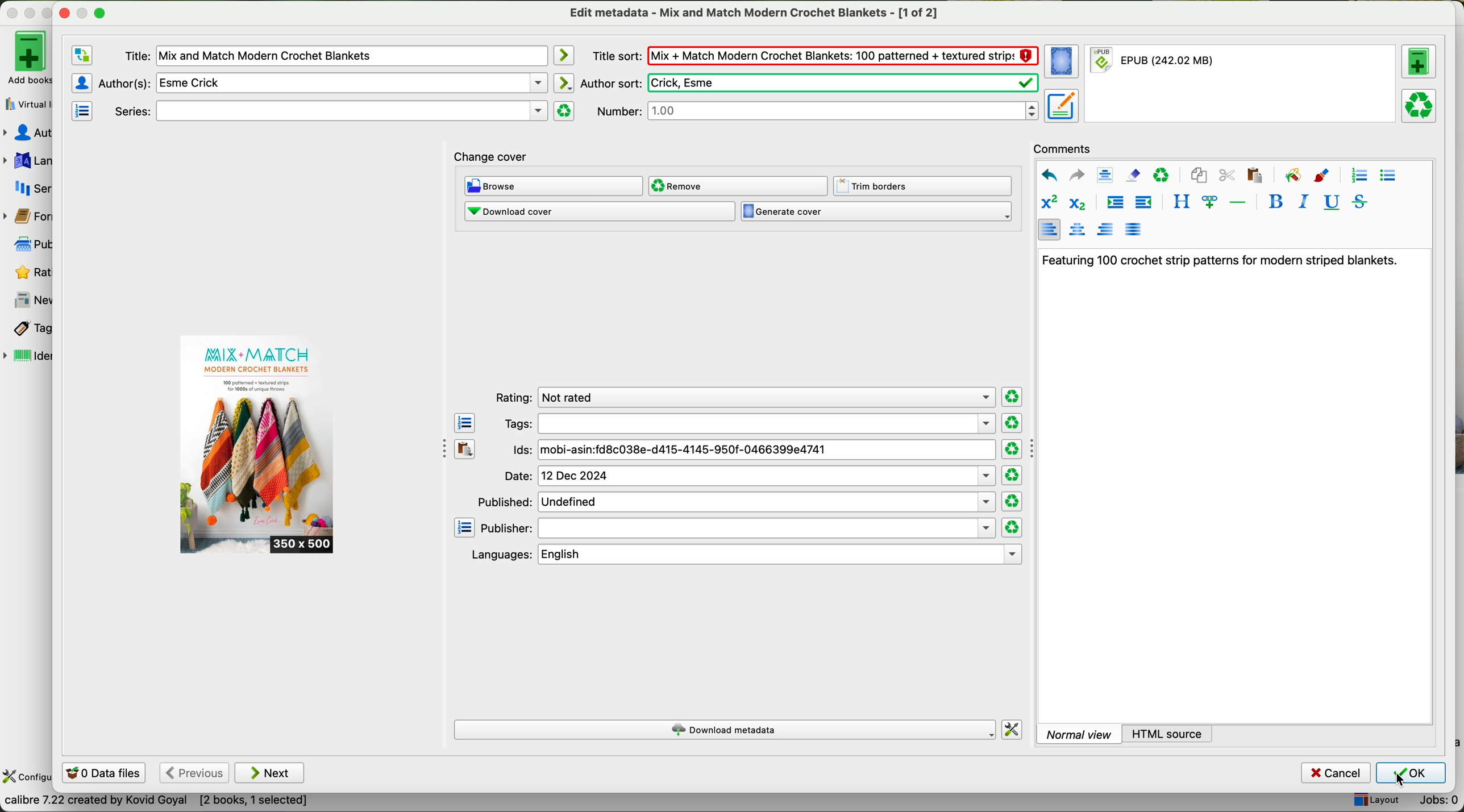 This screenshot has width=1464, height=812. What do you see at coordinates (1239, 201) in the screenshot?
I see `insert separator` at bounding box center [1239, 201].